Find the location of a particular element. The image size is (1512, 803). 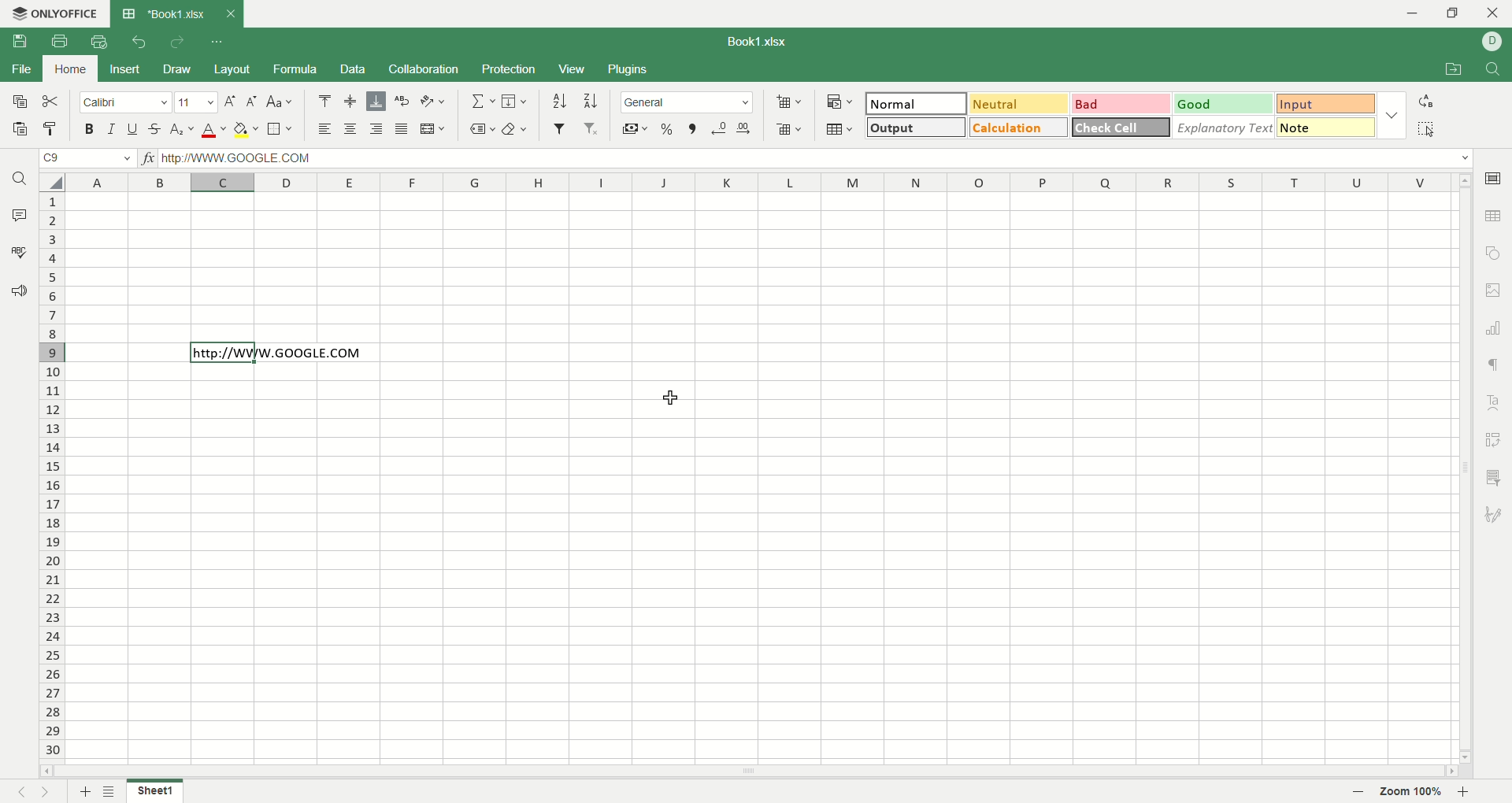

number format is located at coordinates (686, 102).